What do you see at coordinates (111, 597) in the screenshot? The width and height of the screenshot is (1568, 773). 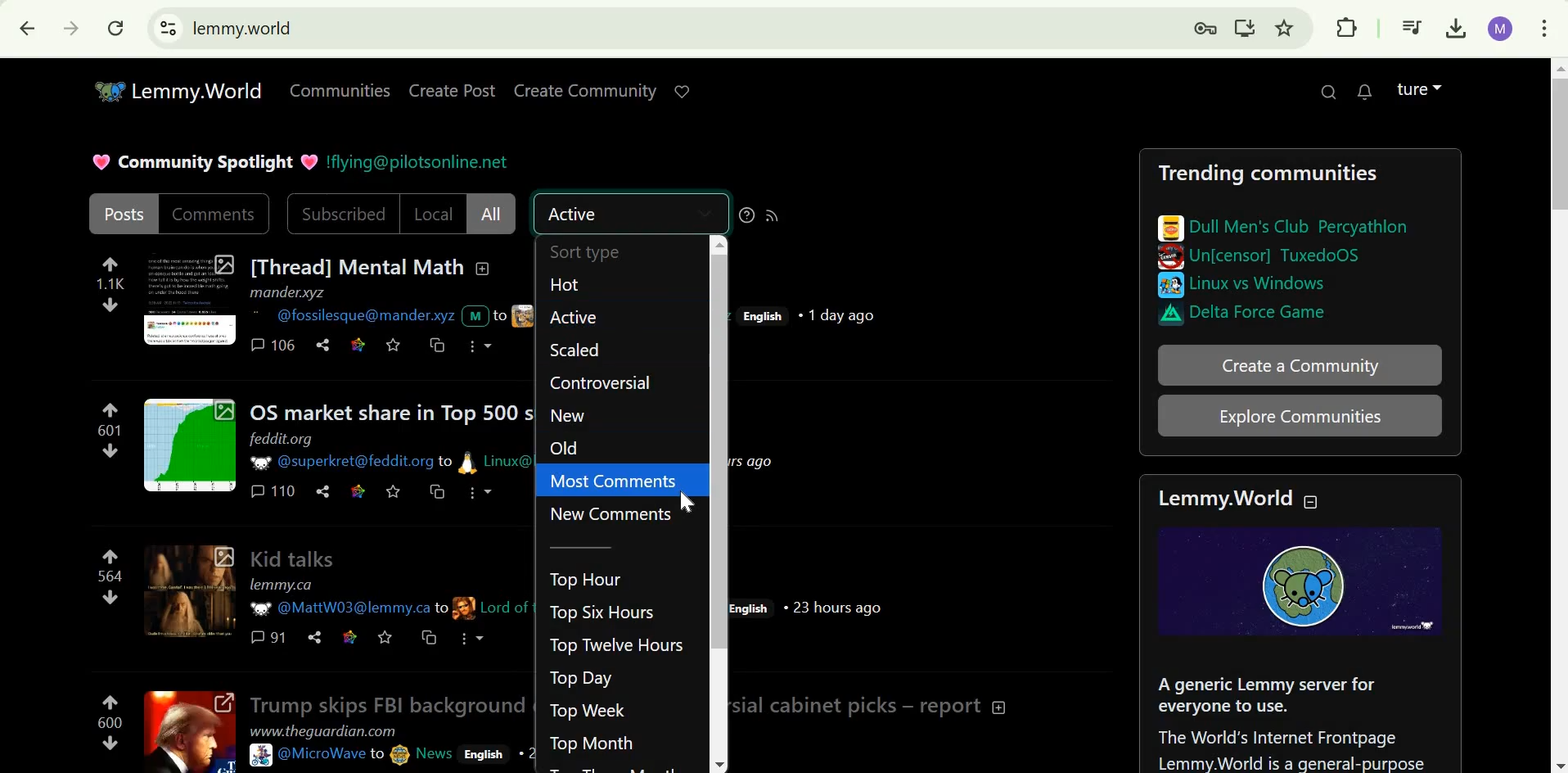 I see `downvote` at bounding box center [111, 597].